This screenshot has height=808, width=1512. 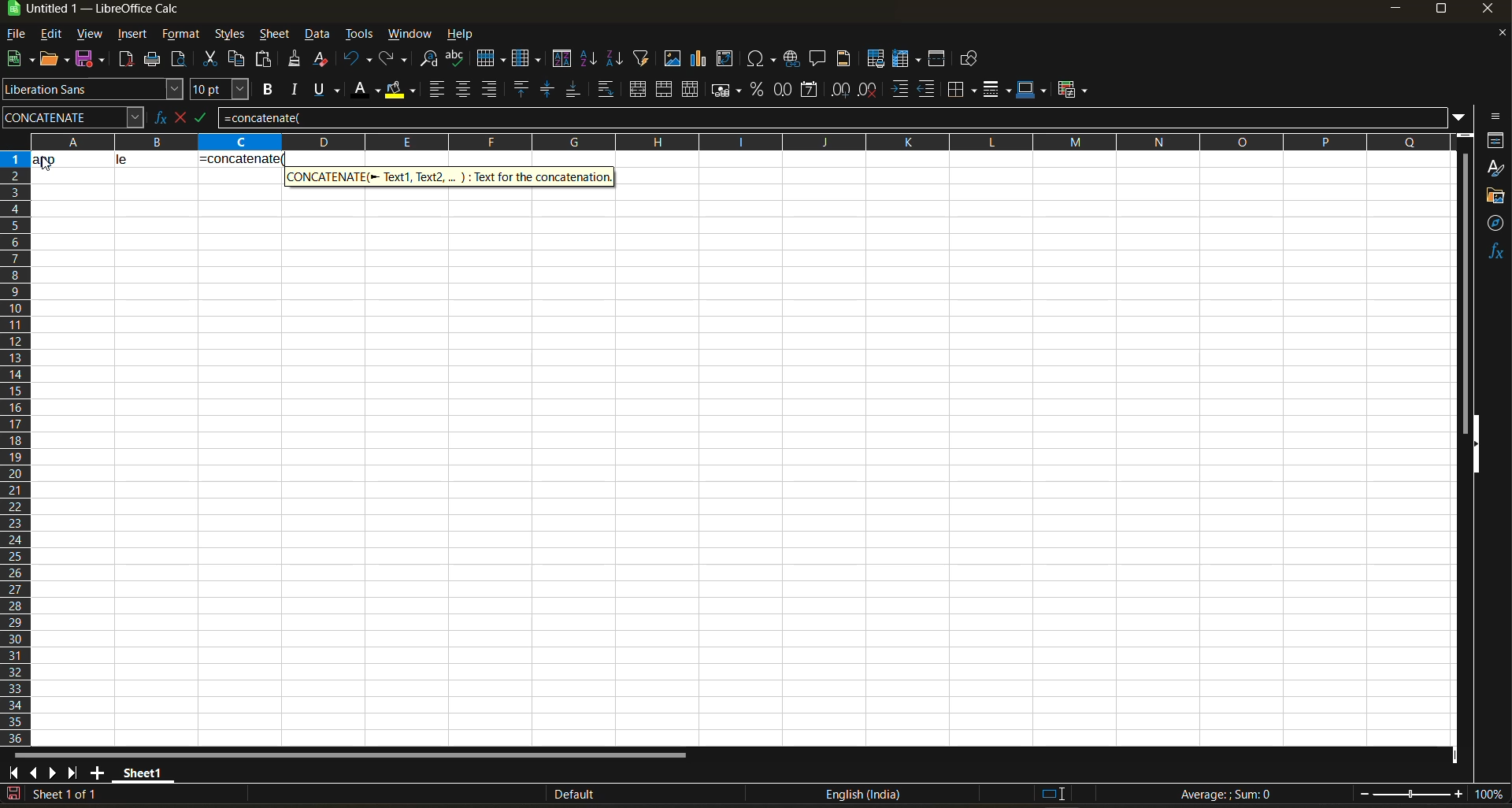 What do you see at coordinates (239, 59) in the screenshot?
I see `copy` at bounding box center [239, 59].